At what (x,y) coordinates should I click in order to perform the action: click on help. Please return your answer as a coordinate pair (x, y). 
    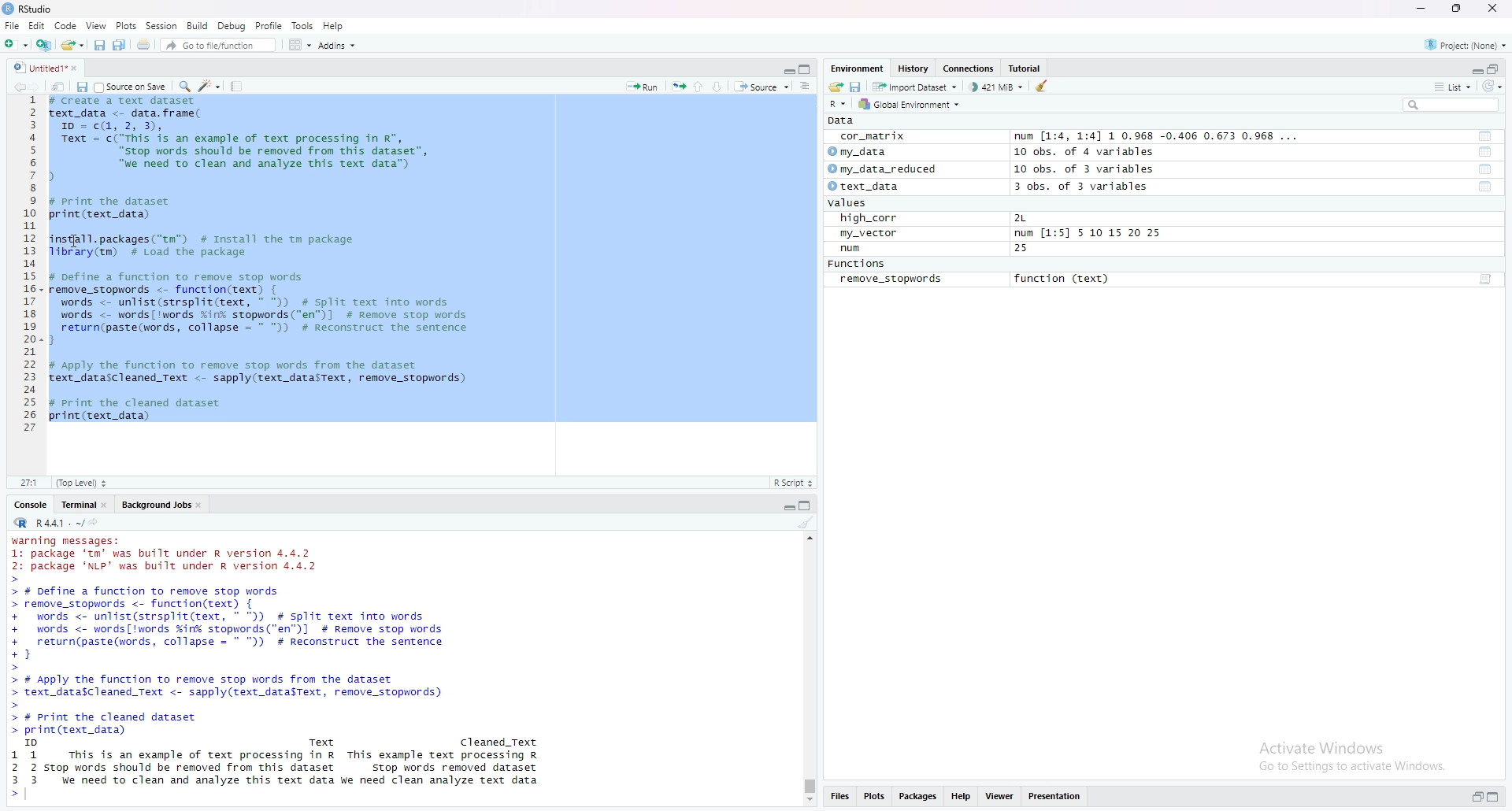
    Looking at the image, I should click on (334, 26).